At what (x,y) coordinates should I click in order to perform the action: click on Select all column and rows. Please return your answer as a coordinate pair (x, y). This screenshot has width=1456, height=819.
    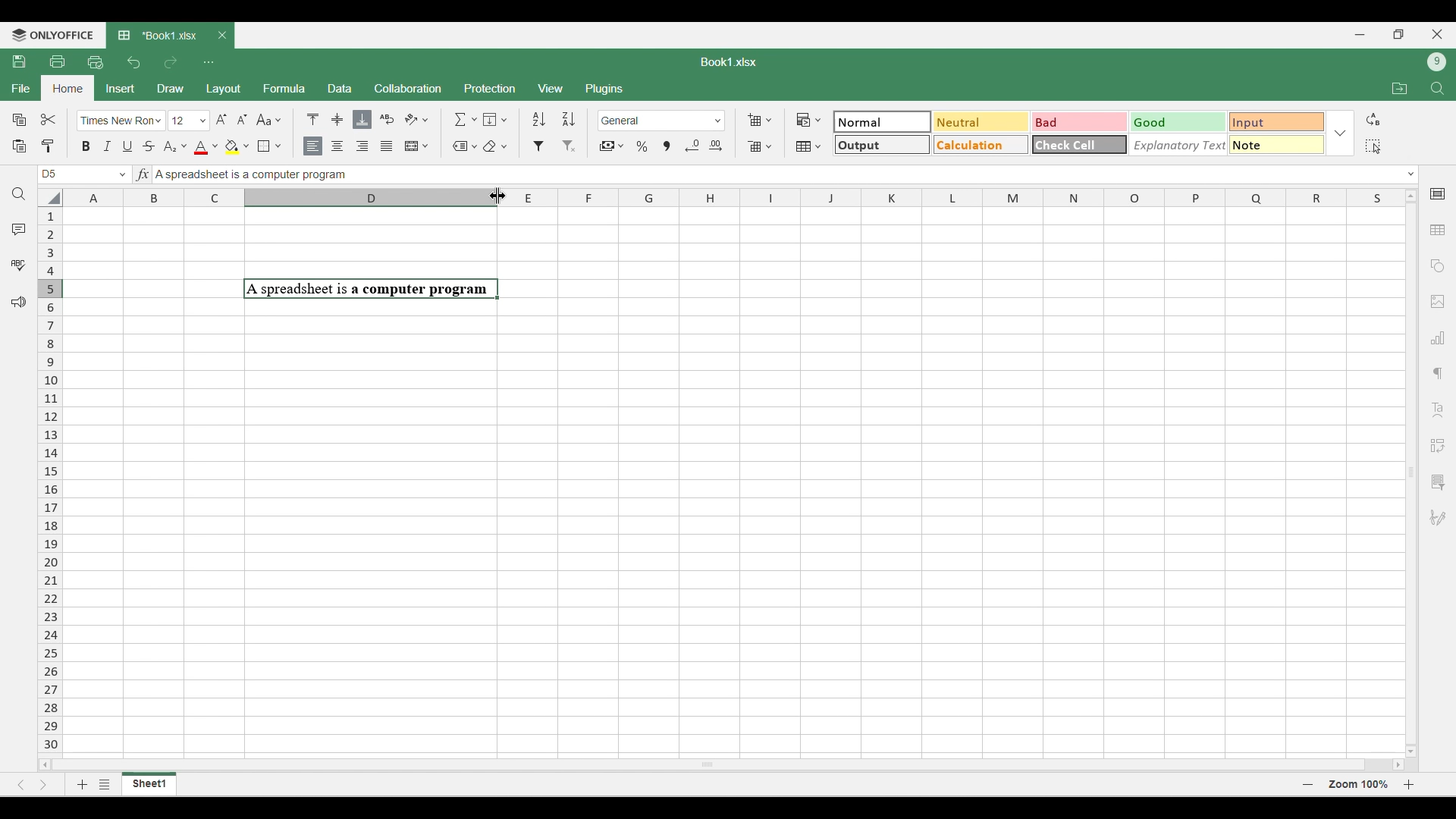
    Looking at the image, I should click on (50, 198).